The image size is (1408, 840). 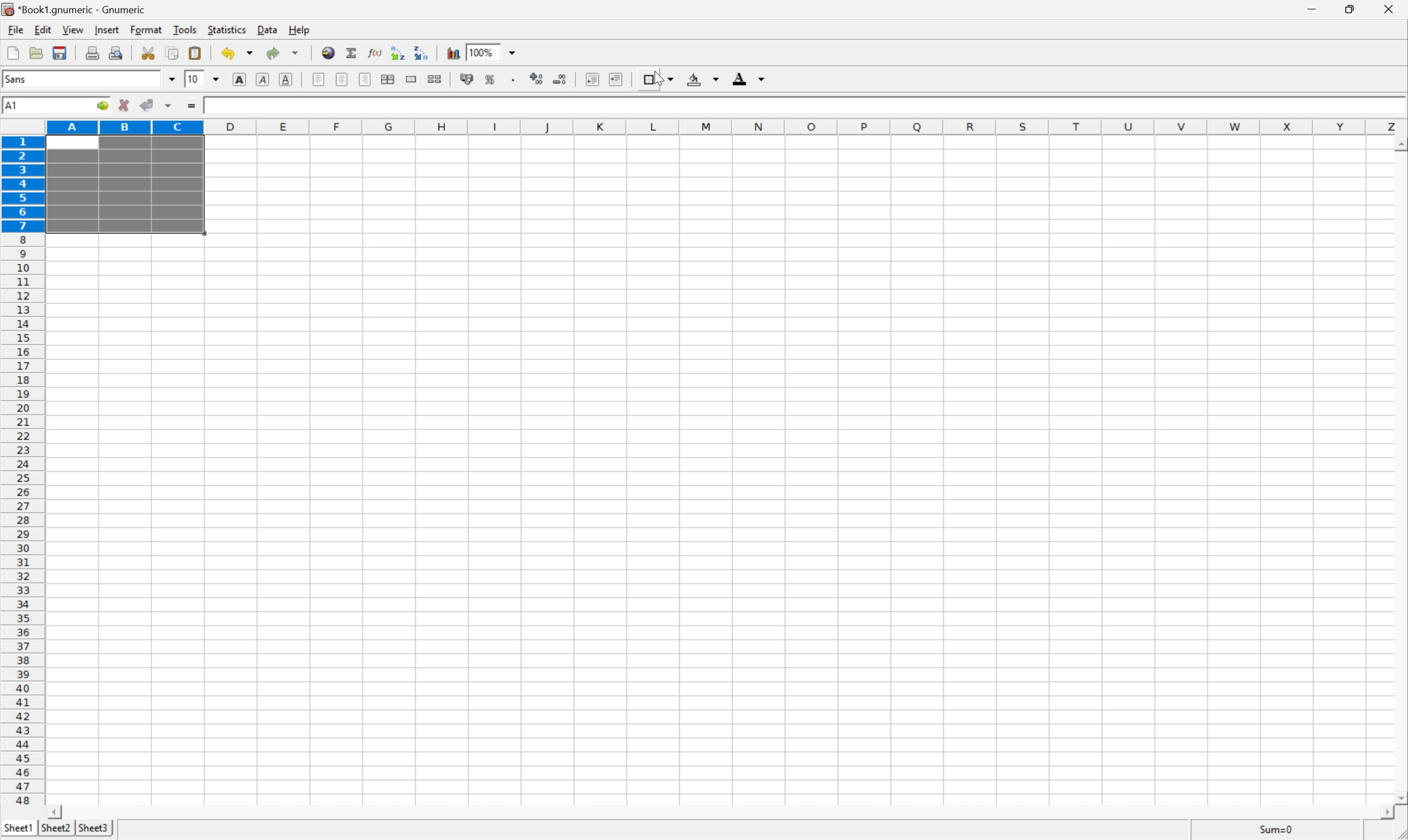 I want to click on cursor on borders, so click(x=653, y=80).